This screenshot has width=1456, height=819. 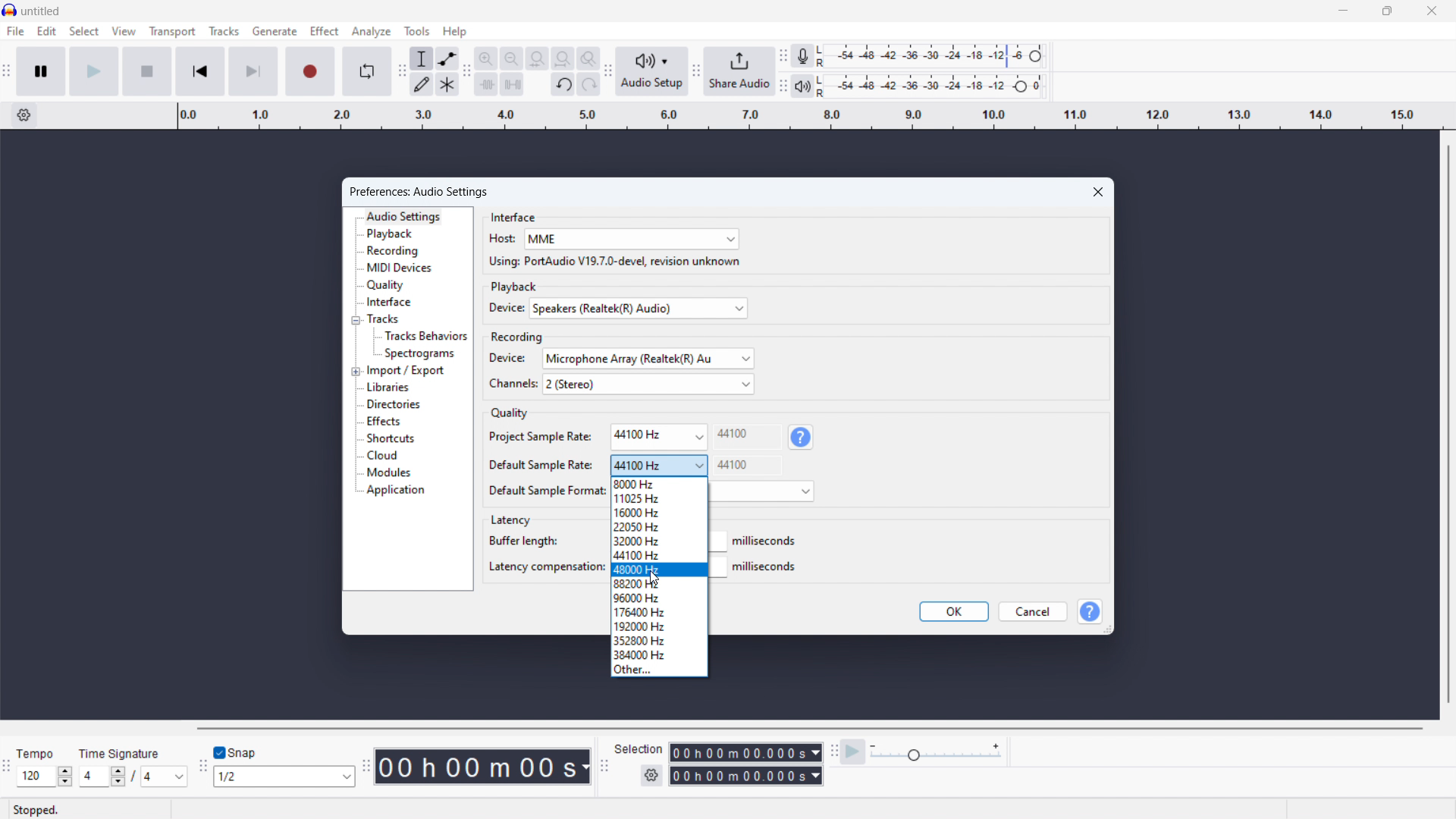 I want to click on cloud, so click(x=382, y=456).